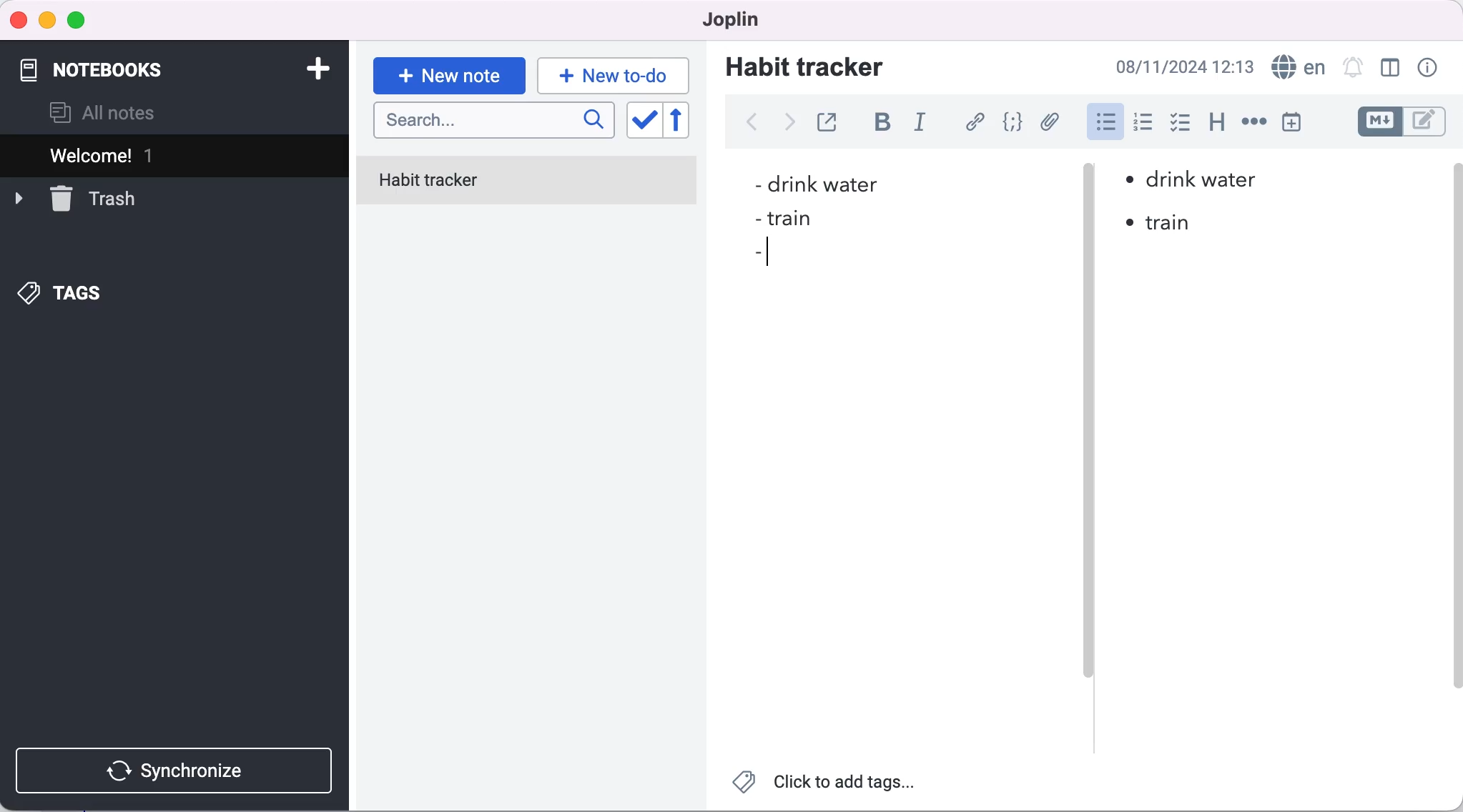 This screenshot has height=812, width=1463. Describe the element at coordinates (46, 21) in the screenshot. I see `minimize` at that location.